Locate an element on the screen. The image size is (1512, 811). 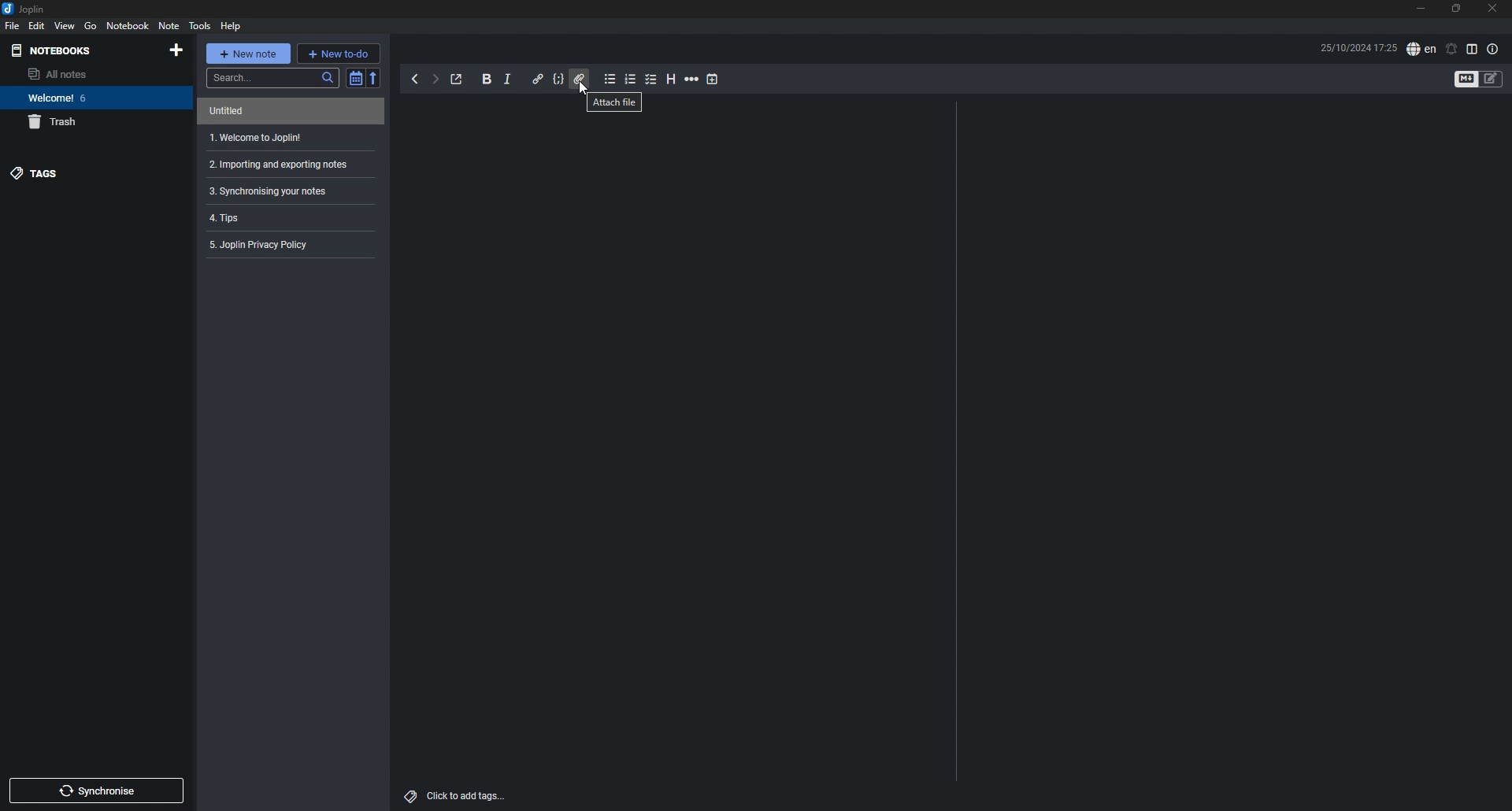
code is located at coordinates (559, 78).